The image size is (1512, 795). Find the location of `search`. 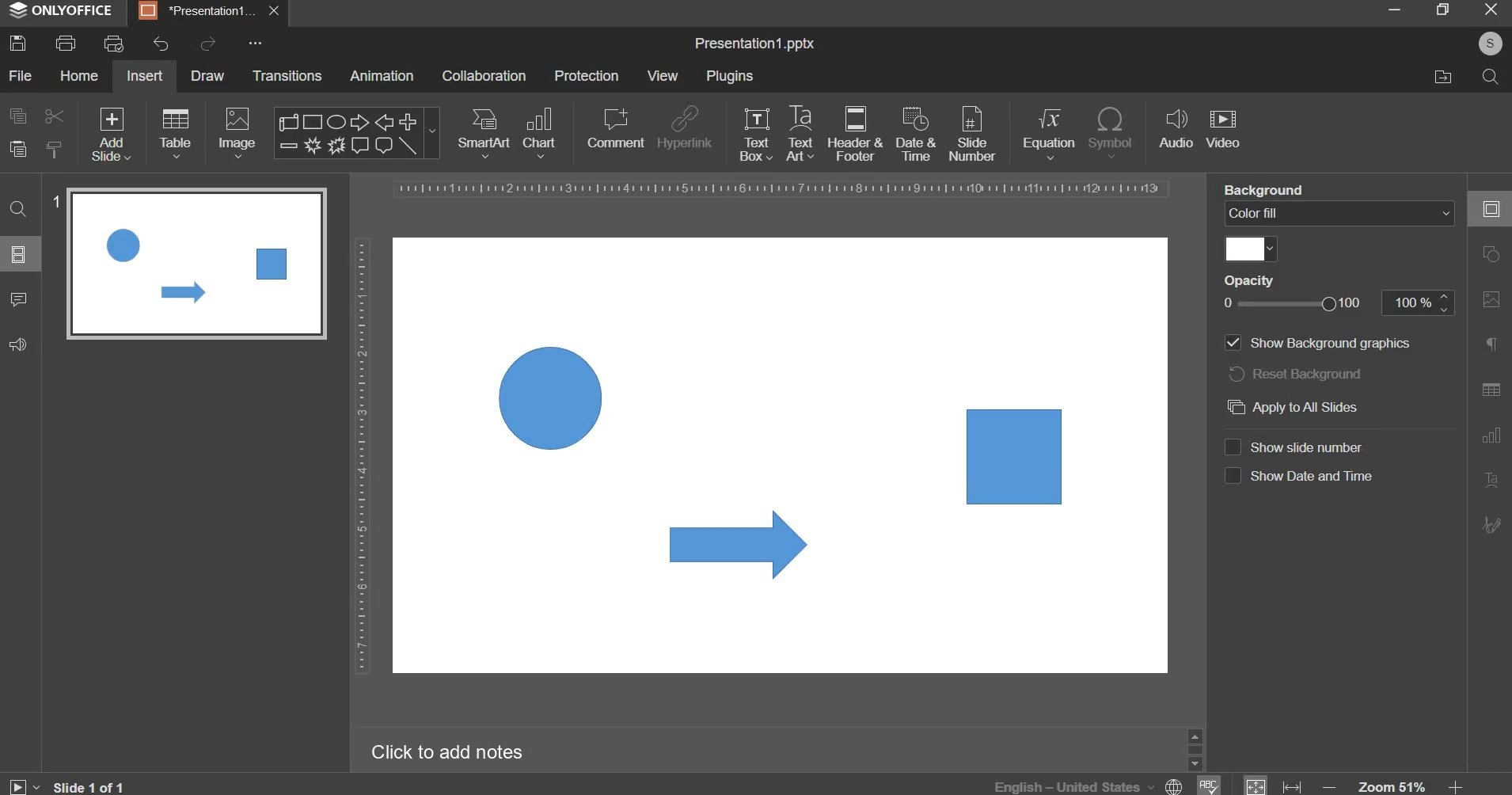

search is located at coordinates (1489, 75).